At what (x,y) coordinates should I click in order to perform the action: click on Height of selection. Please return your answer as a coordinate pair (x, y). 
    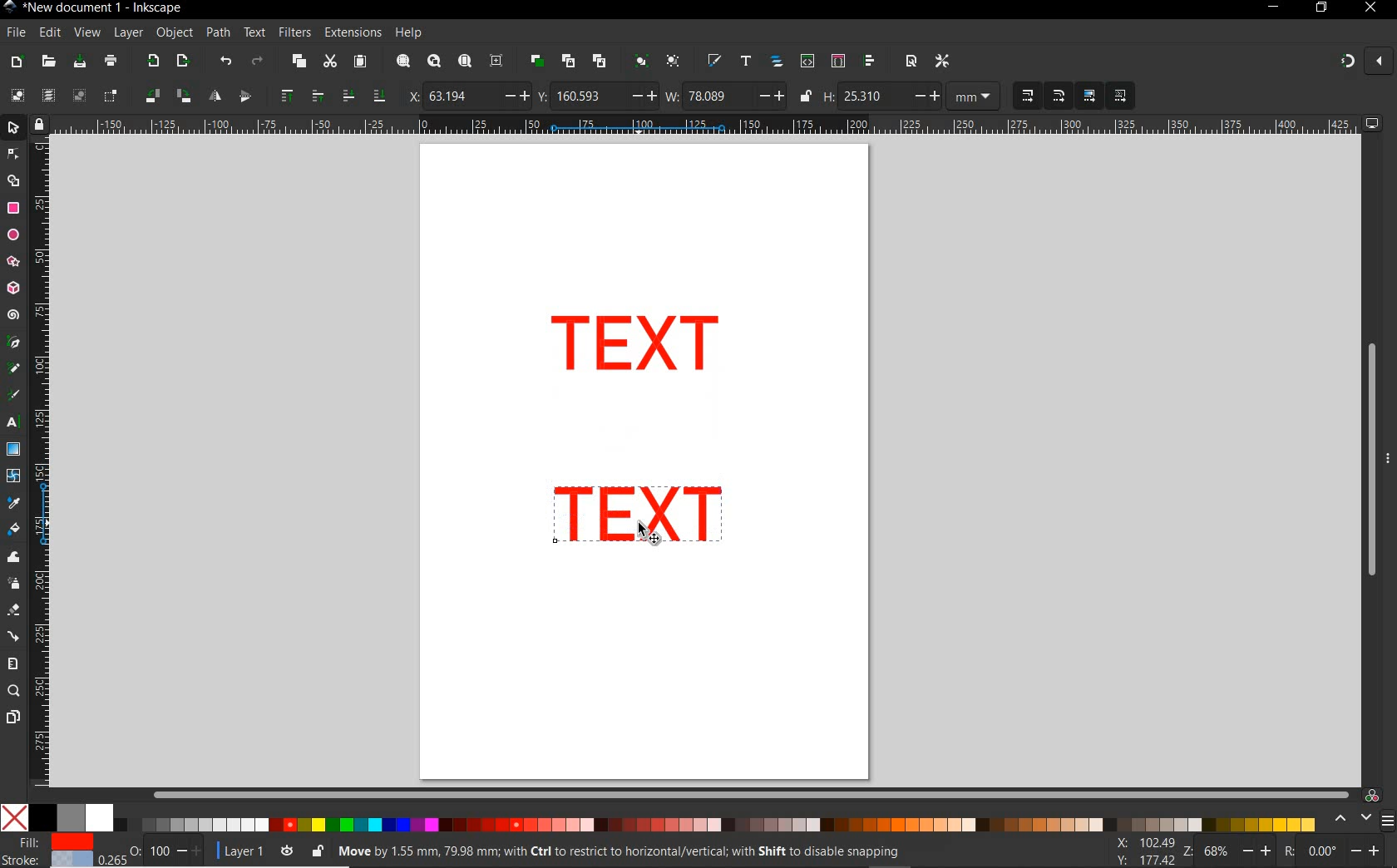
    Looking at the image, I should click on (881, 96).